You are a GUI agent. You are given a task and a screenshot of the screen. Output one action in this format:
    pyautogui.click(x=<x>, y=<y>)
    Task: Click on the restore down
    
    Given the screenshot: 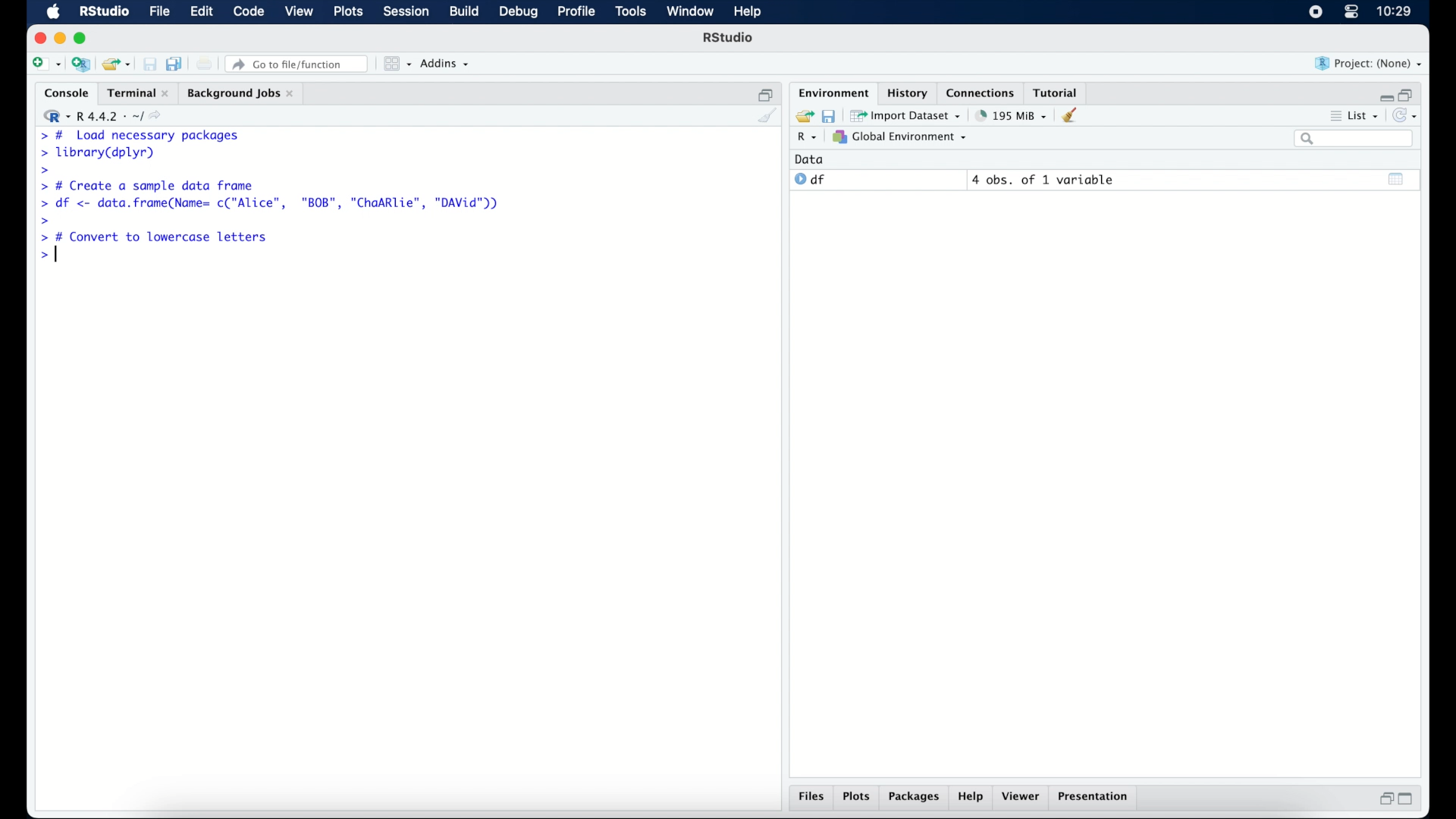 What is the action you would take?
    pyautogui.click(x=1409, y=93)
    